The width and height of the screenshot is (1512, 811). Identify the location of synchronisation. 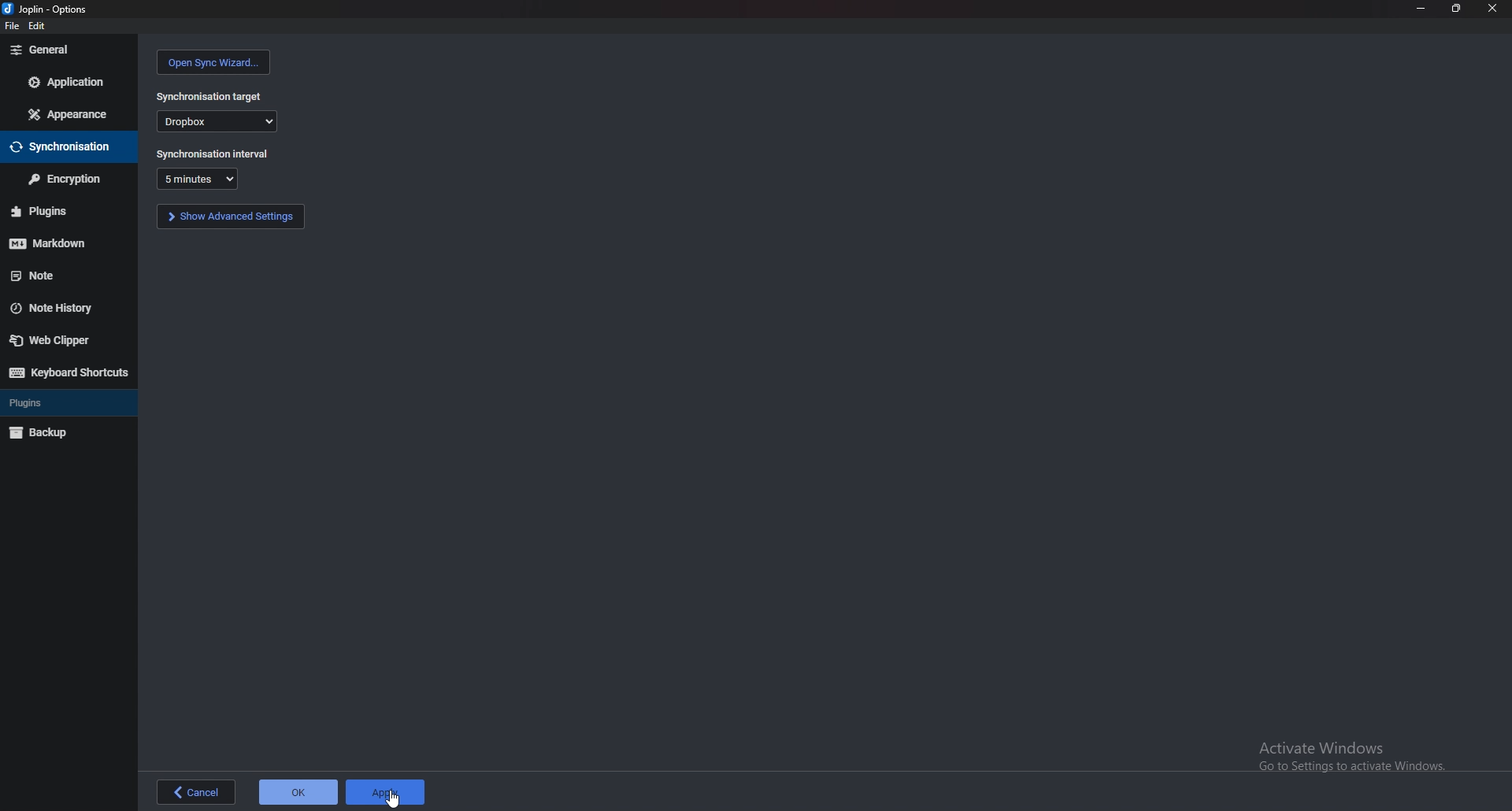
(62, 146).